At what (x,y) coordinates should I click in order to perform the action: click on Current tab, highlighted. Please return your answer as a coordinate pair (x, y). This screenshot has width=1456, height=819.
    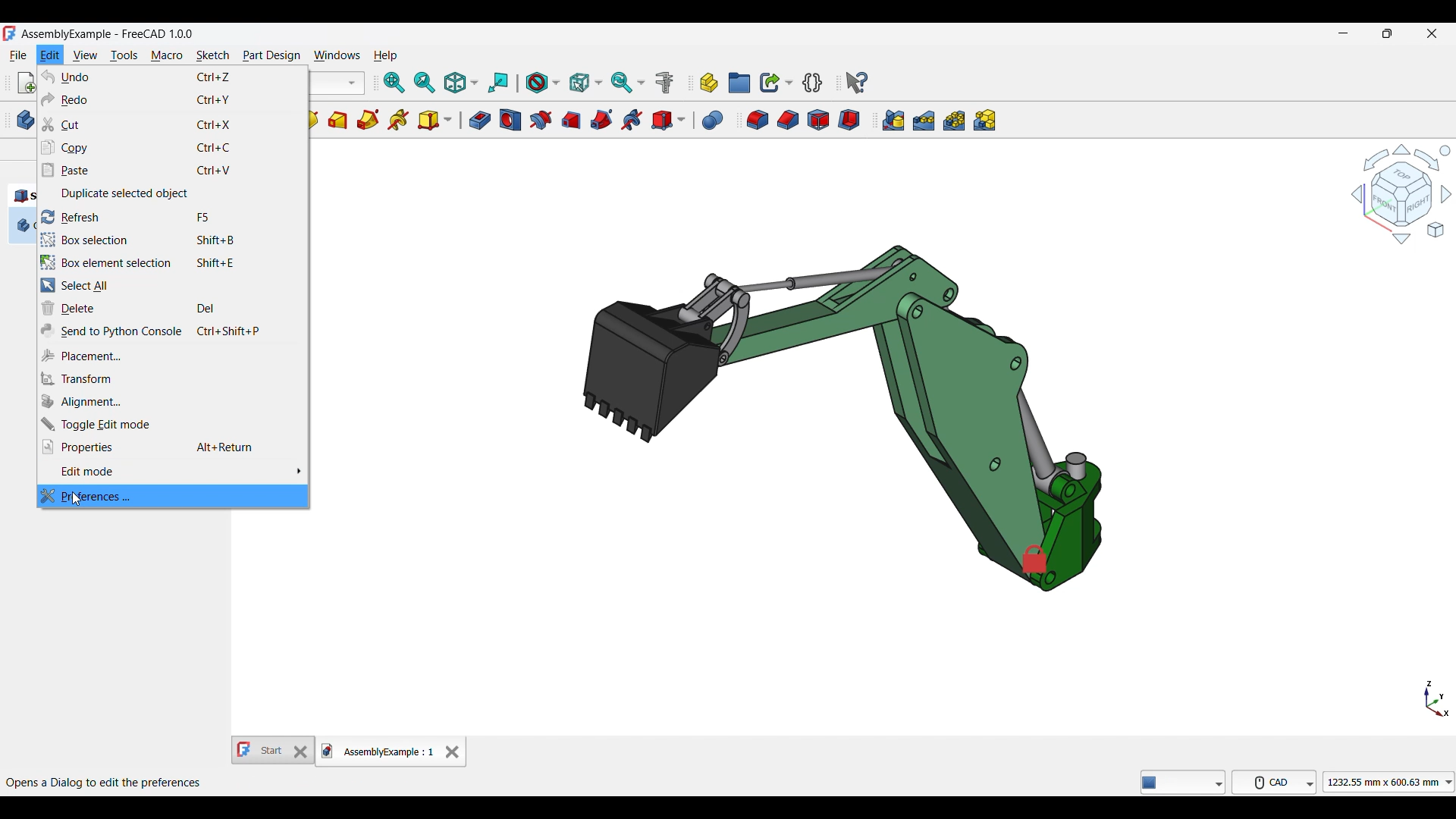
    Looking at the image, I should click on (379, 752).